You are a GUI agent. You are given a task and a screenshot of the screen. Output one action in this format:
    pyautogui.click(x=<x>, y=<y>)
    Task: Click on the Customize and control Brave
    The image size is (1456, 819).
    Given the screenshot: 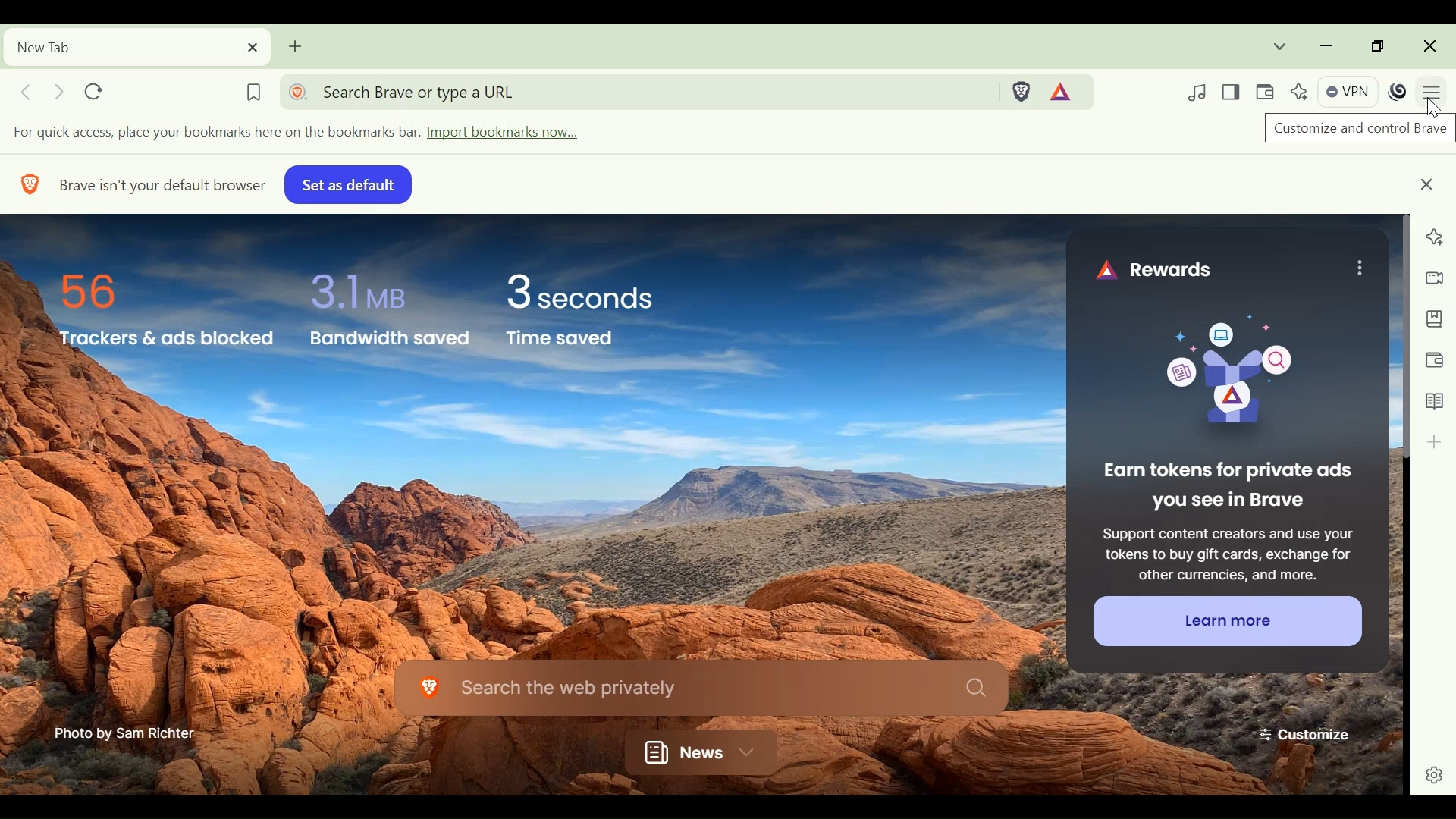 What is the action you would take?
    pyautogui.click(x=1435, y=89)
    